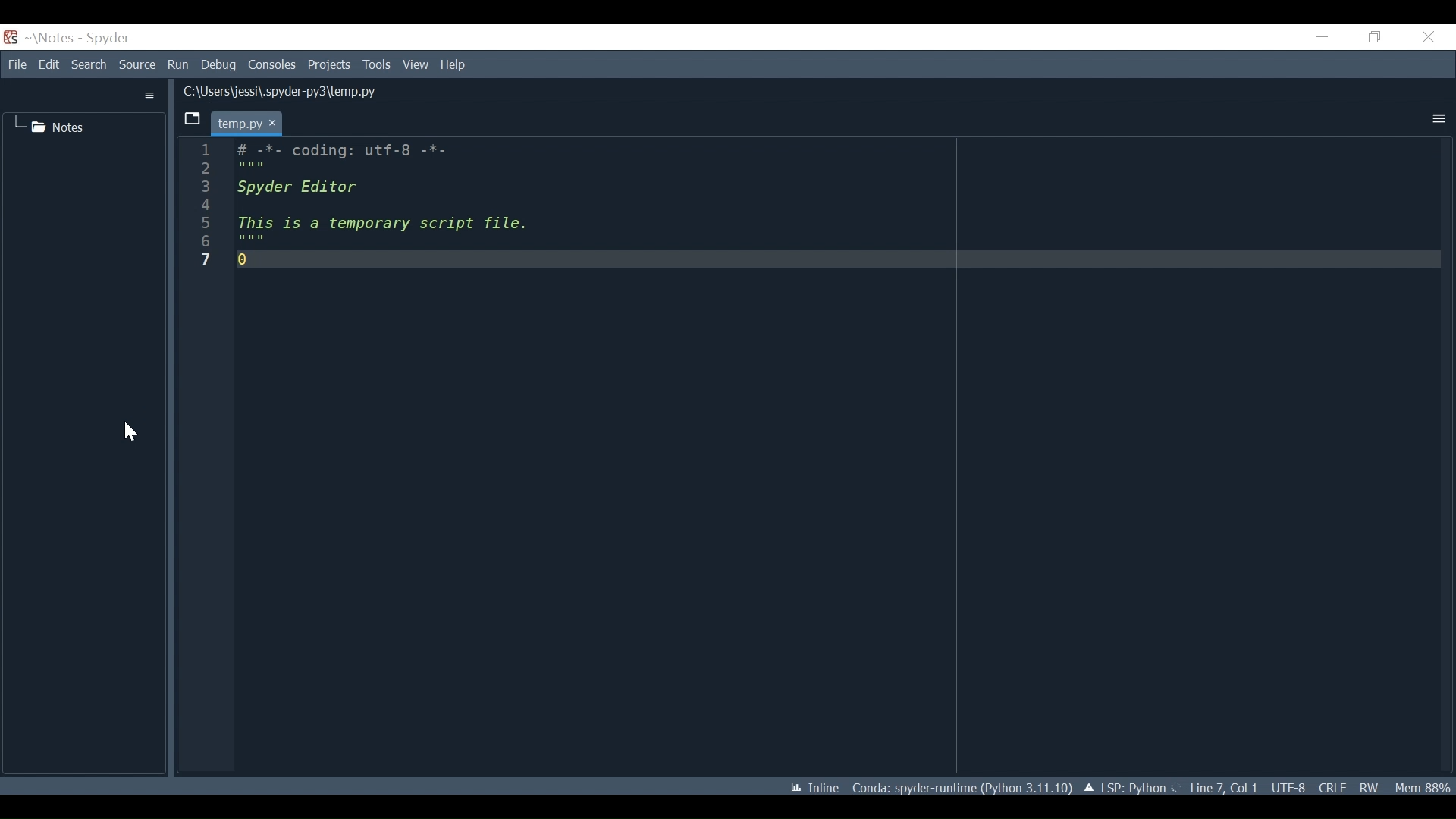  I want to click on More Options, so click(1436, 118).